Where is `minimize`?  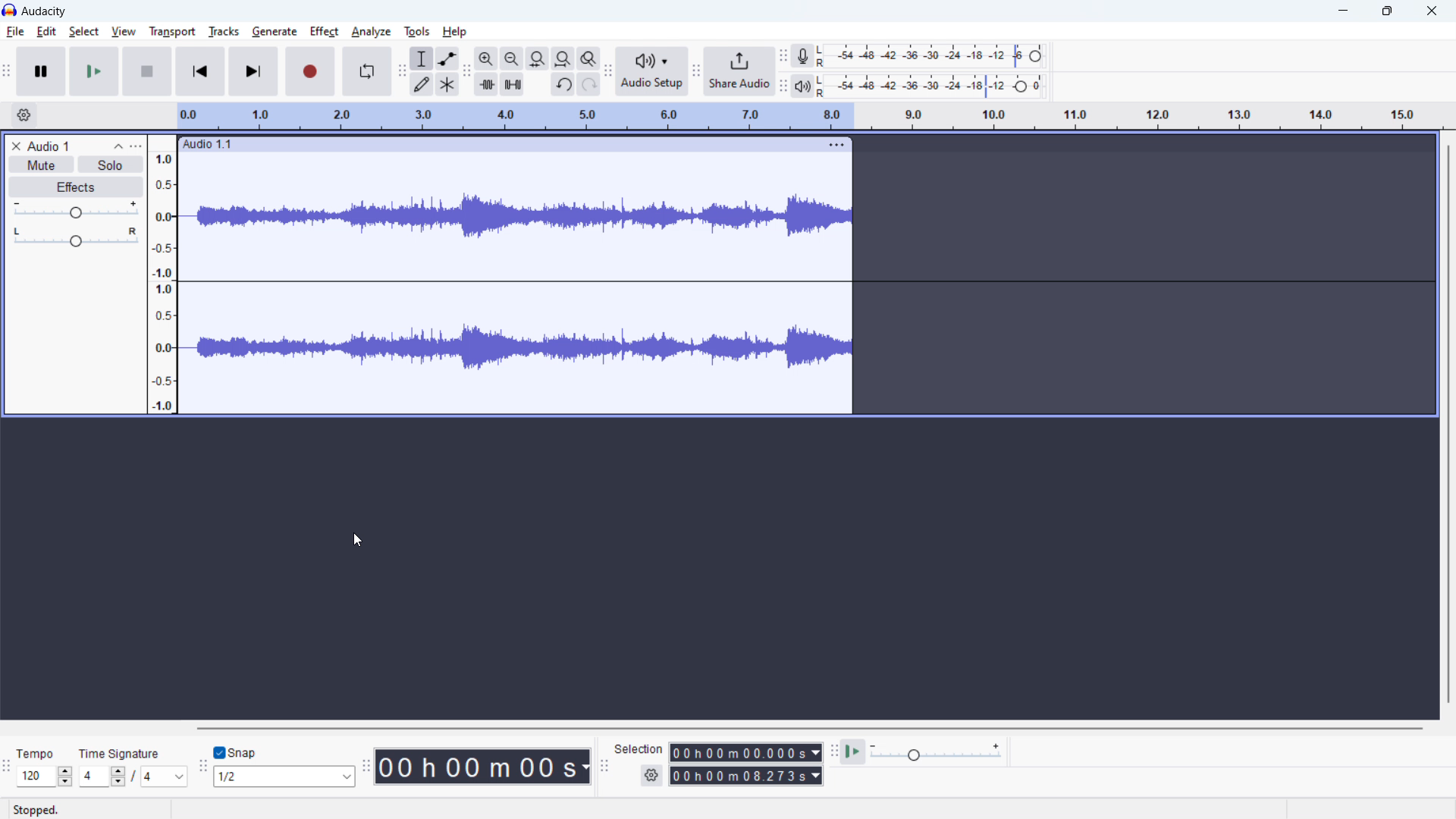
minimize is located at coordinates (1341, 11).